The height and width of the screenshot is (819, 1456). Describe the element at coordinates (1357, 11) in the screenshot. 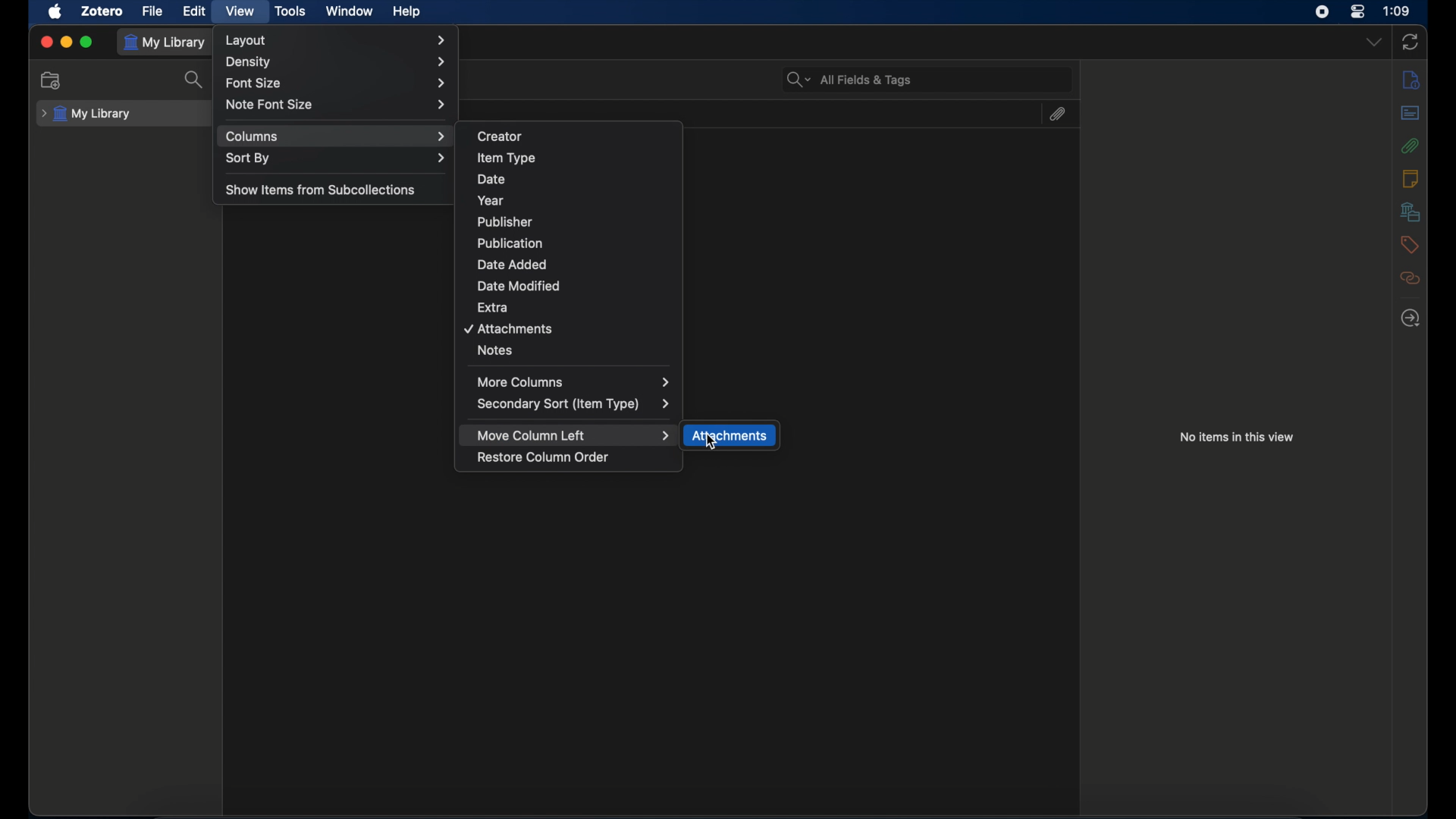

I see `control center` at that location.